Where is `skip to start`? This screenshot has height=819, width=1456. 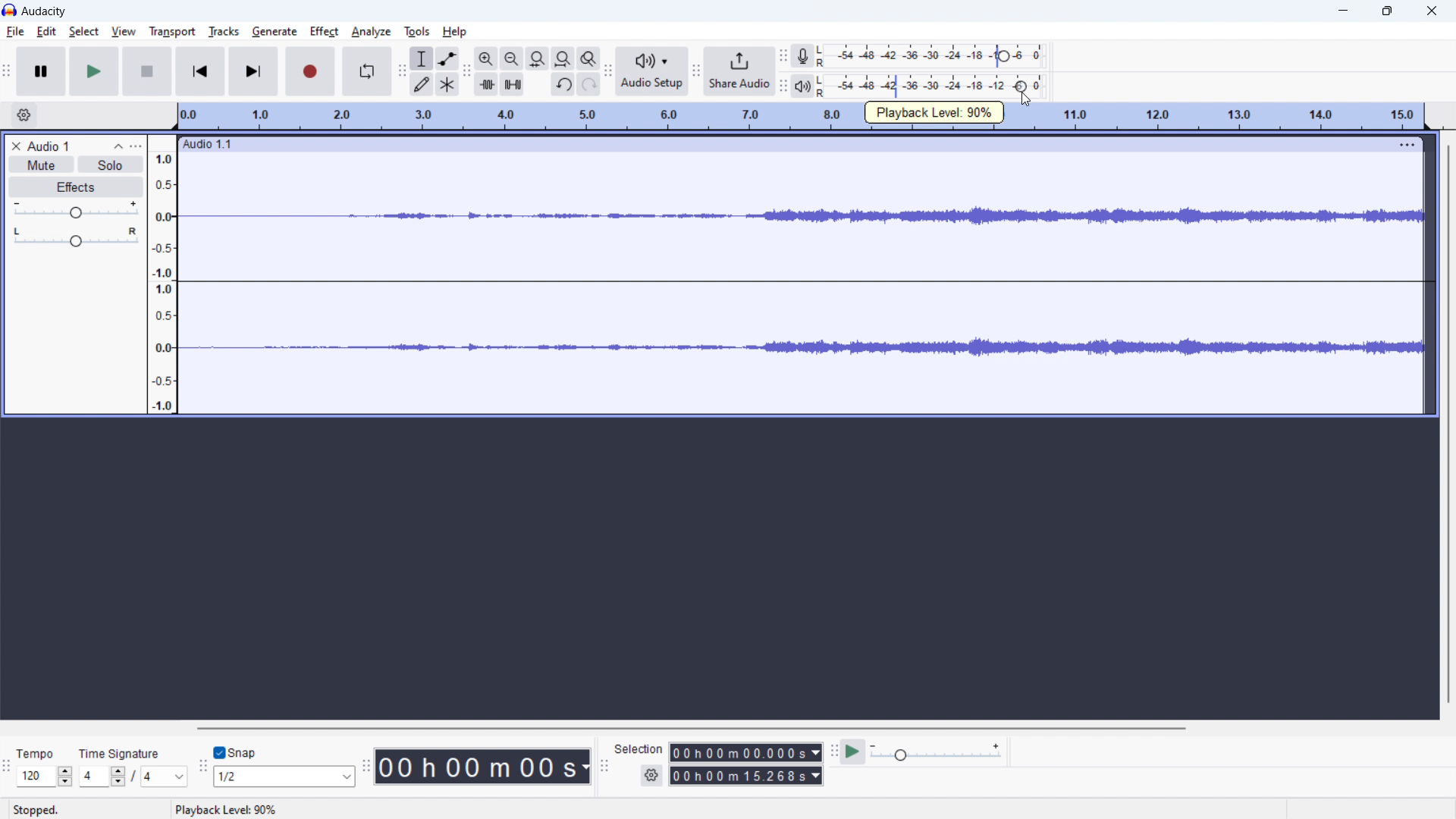 skip to start is located at coordinates (198, 71).